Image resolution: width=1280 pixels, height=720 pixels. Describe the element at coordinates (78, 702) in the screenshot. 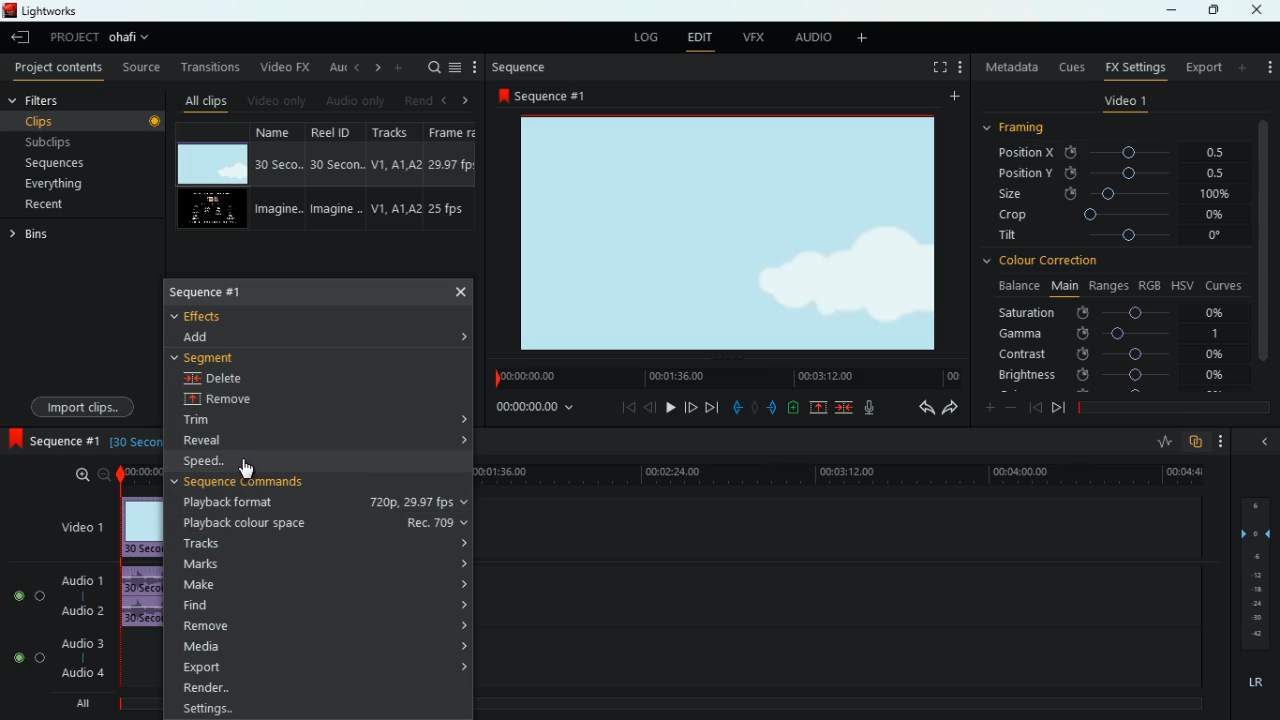

I see `all` at that location.